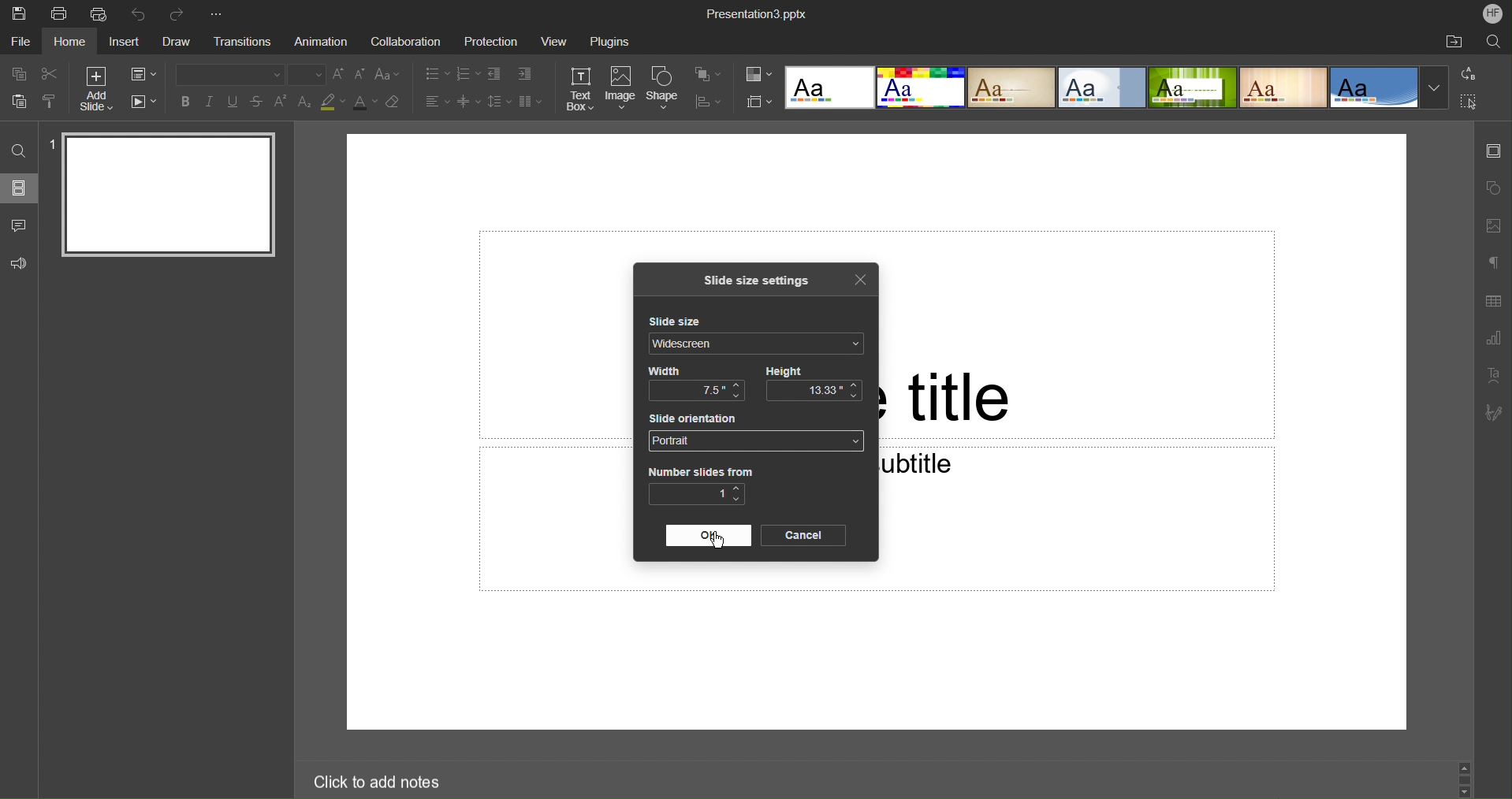  I want to click on Non-Printing Characters, so click(1493, 262).